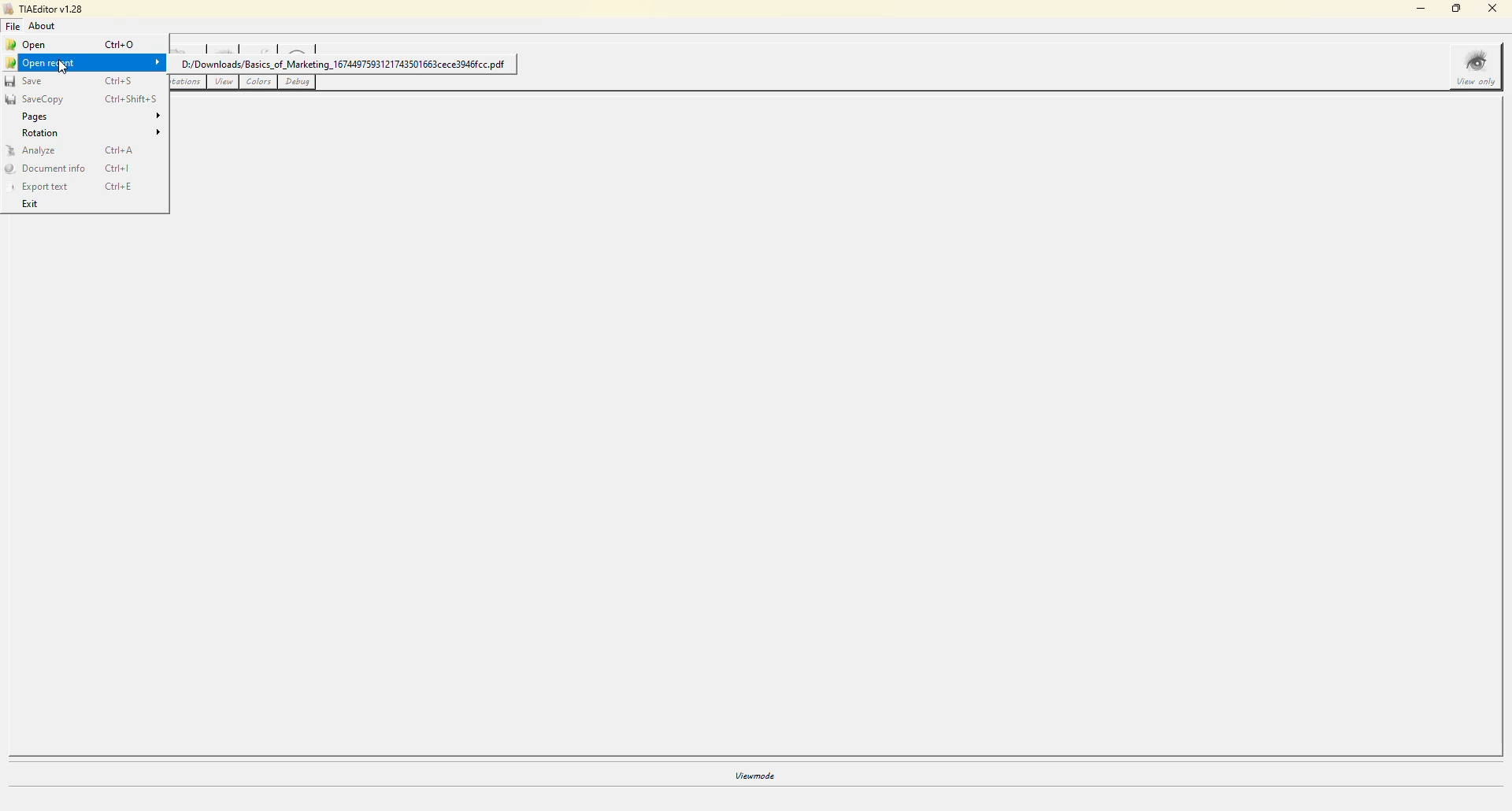 The width and height of the screenshot is (1512, 811). Describe the element at coordinates (41, 134) in the screenshot. I see `rotation` at that location.